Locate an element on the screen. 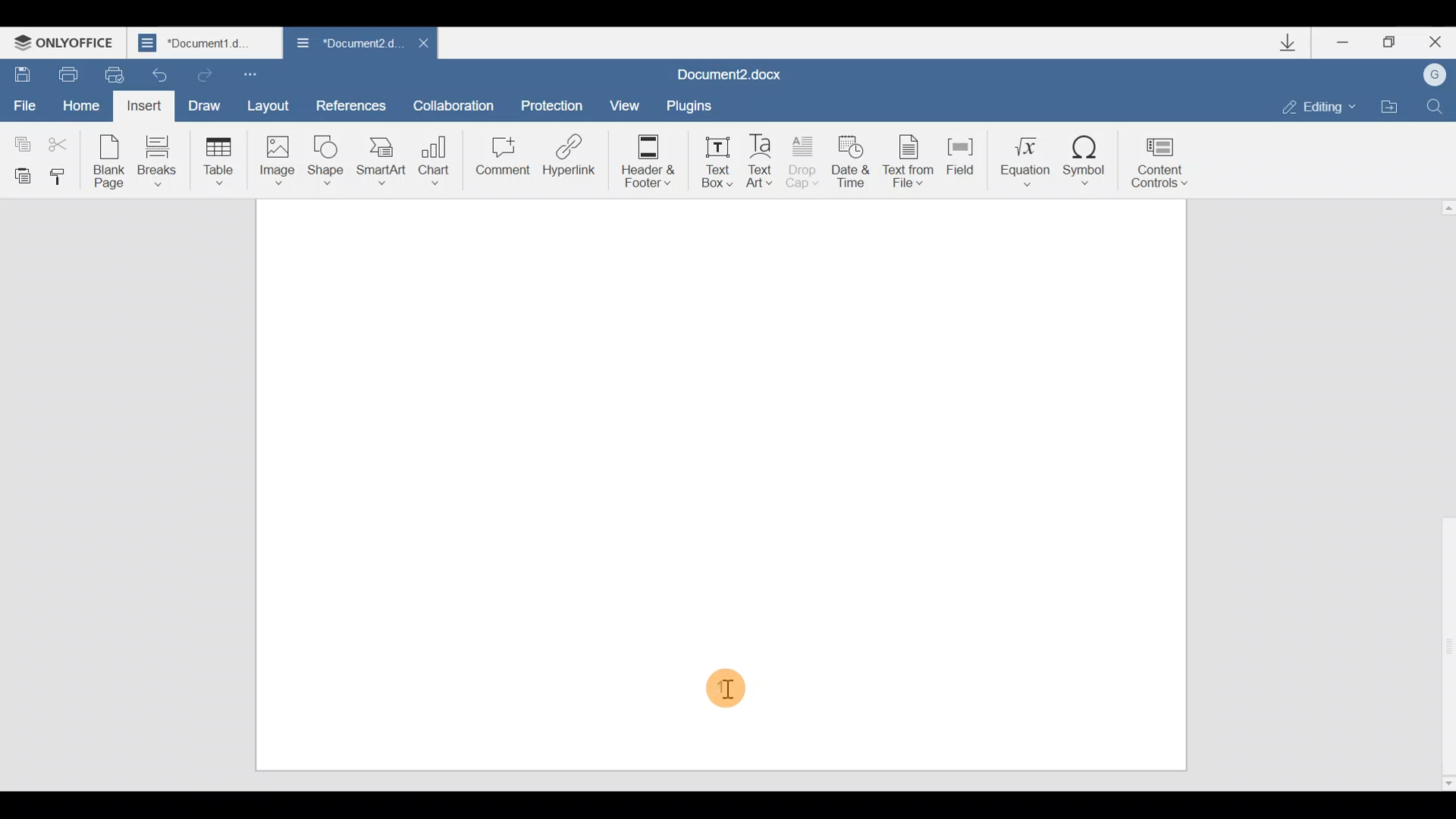 The width and height of the screenshot is (1456, 819). Close is located at coordinates (419, 42).